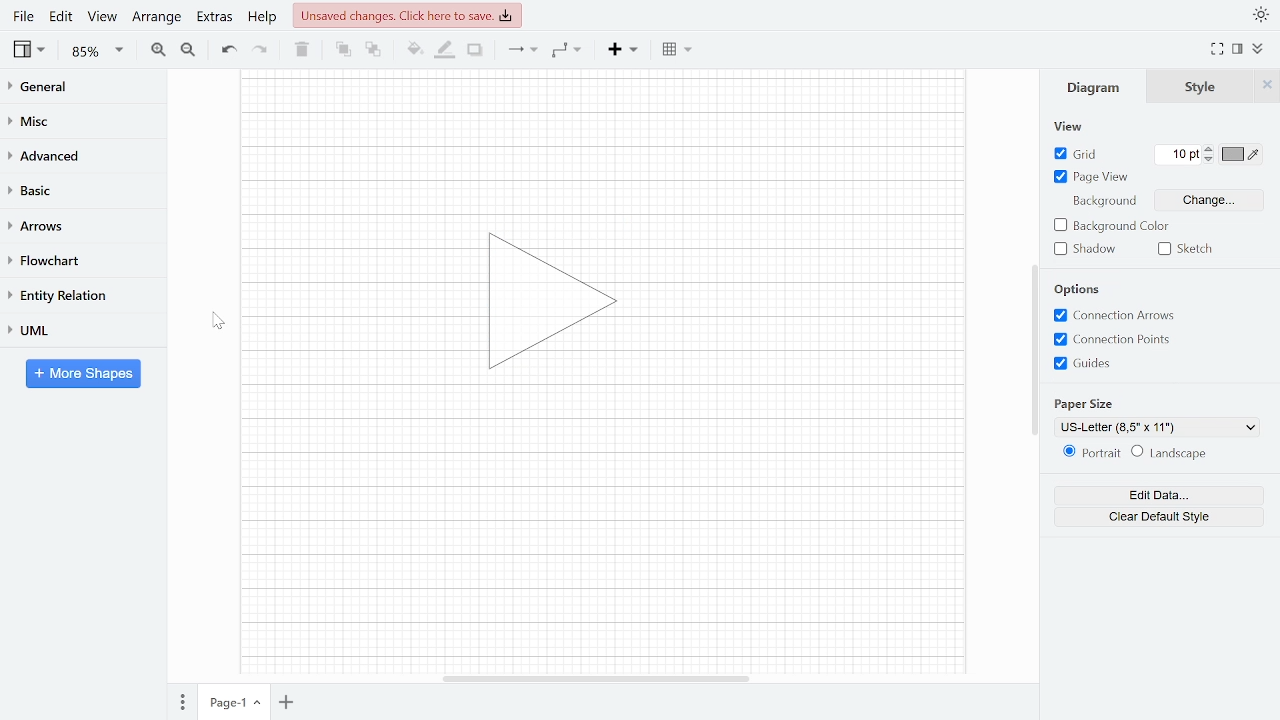 The image size is (1280, 720). I want to click on US-Letter (8,5" x 11%), so click(1150, 428).